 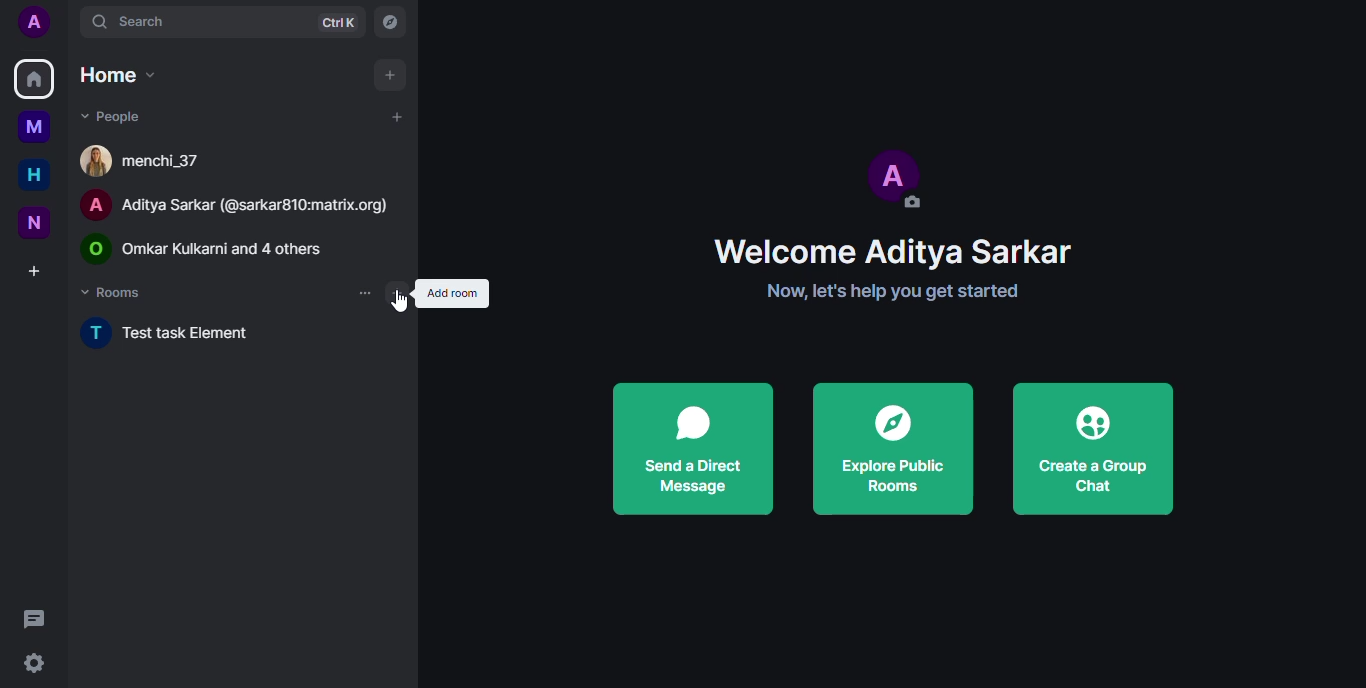 What do you see at coordinates (894, 450) in the screenshot?
I see `explore public rooms` at bounding box center [894, 450].